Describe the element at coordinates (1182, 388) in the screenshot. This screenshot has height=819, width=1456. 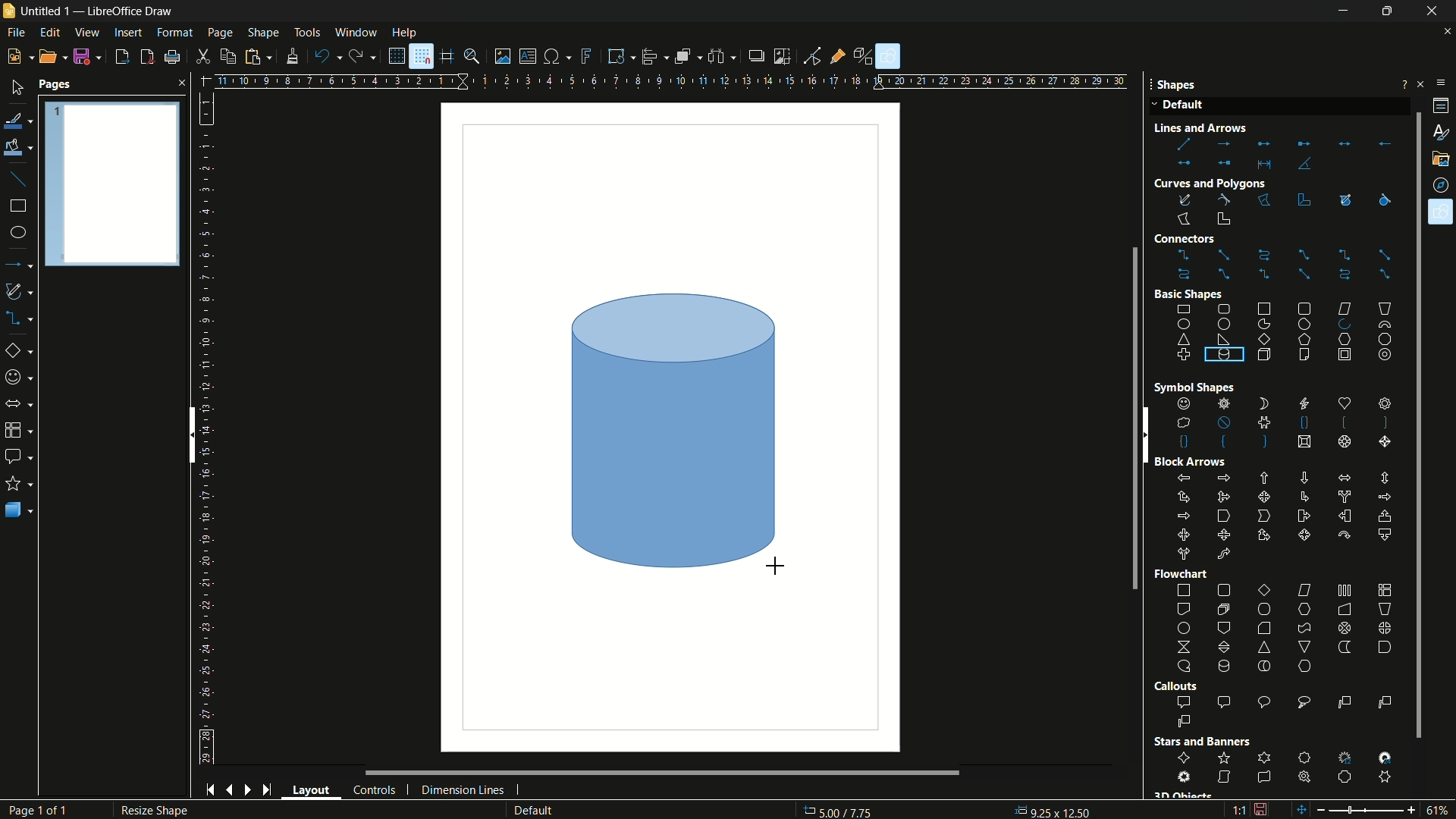
I see `Symbol Shape` at that location.